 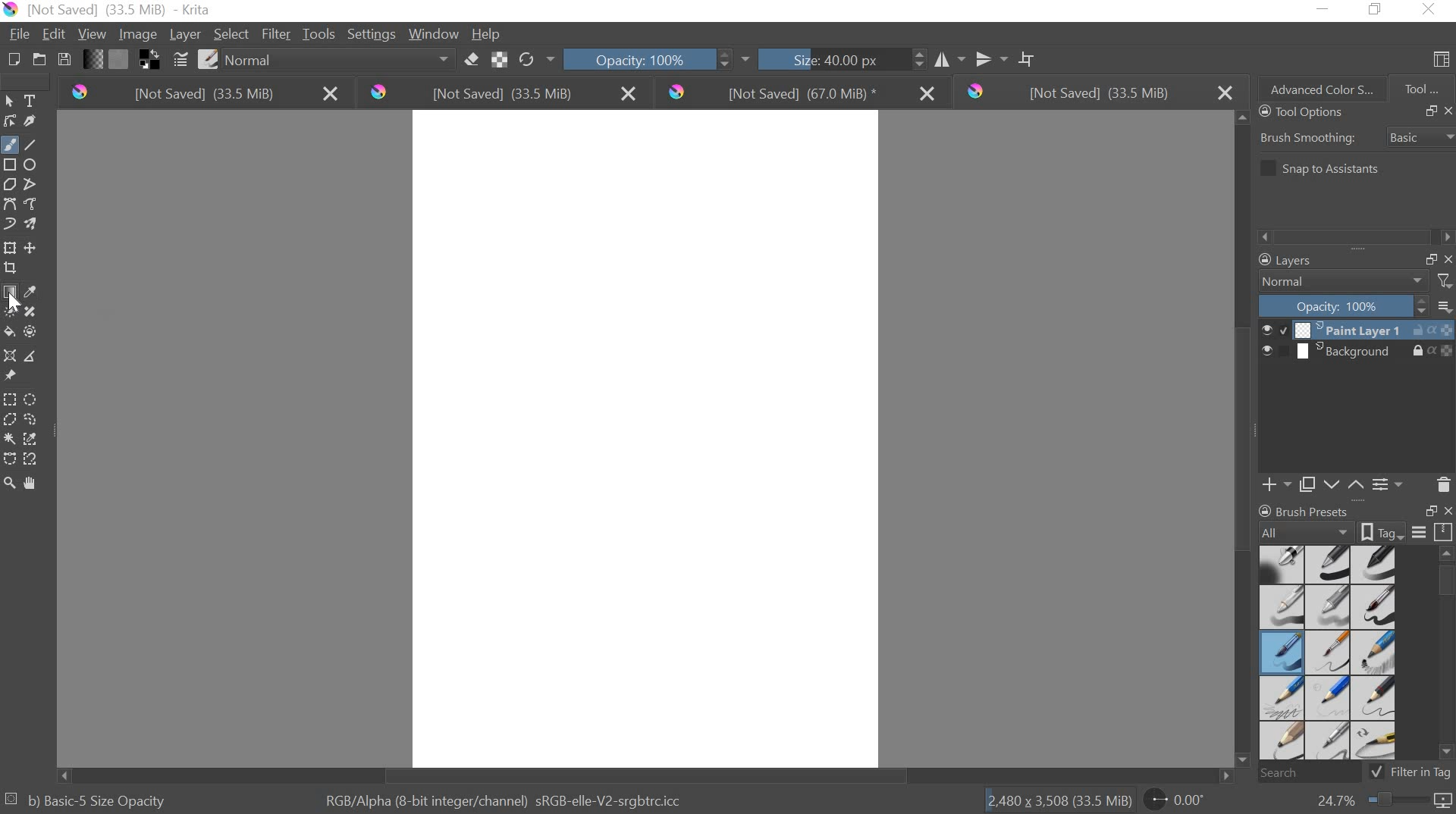 What do you see at coordinates (1307, 484) in the screenshot?
I see `COPY PAINT` at bounding box center [1307, 484].